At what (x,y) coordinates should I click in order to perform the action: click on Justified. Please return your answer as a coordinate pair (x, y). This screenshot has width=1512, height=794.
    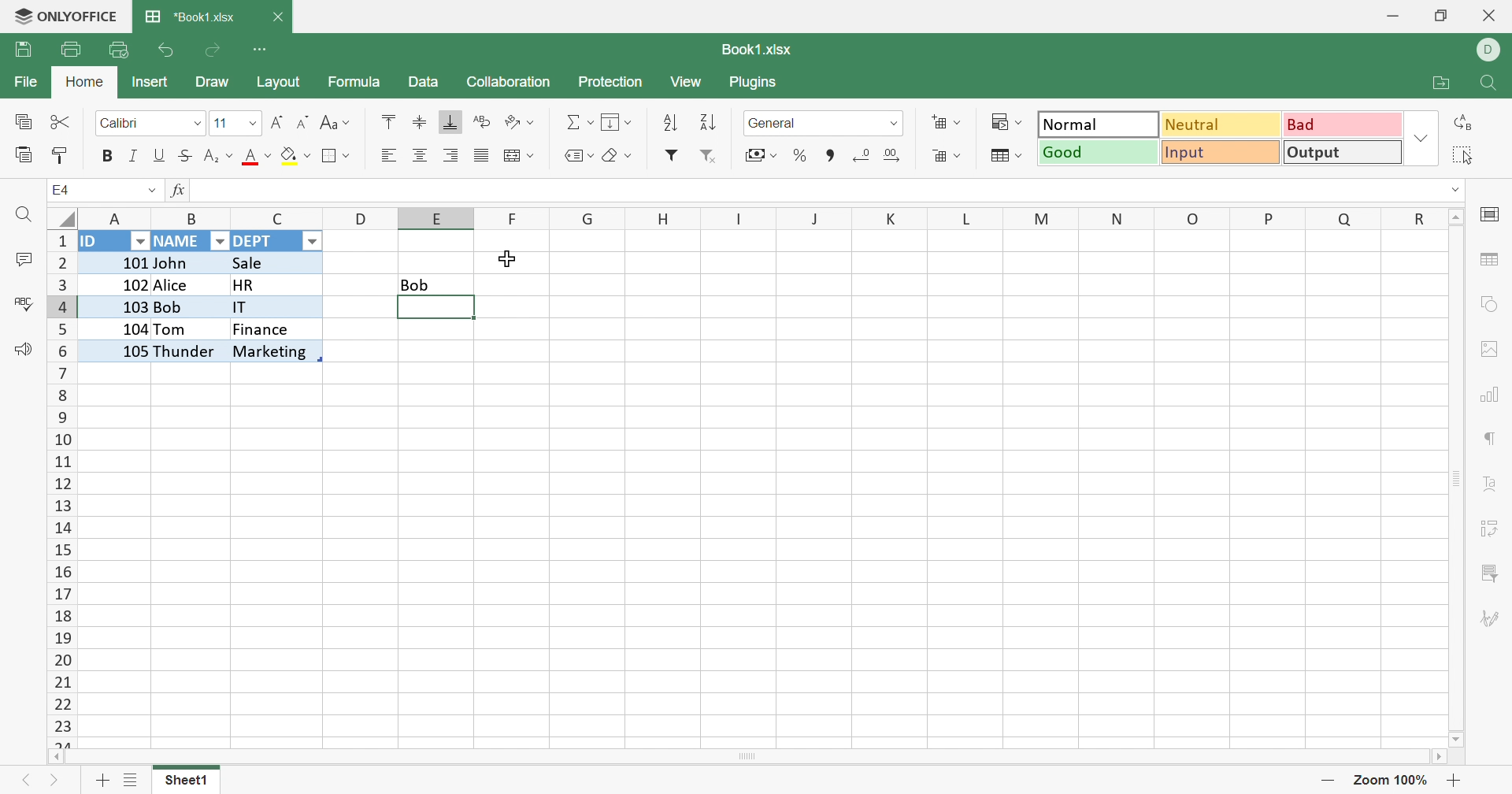
    Looking at the image, I should click on (483, 155).